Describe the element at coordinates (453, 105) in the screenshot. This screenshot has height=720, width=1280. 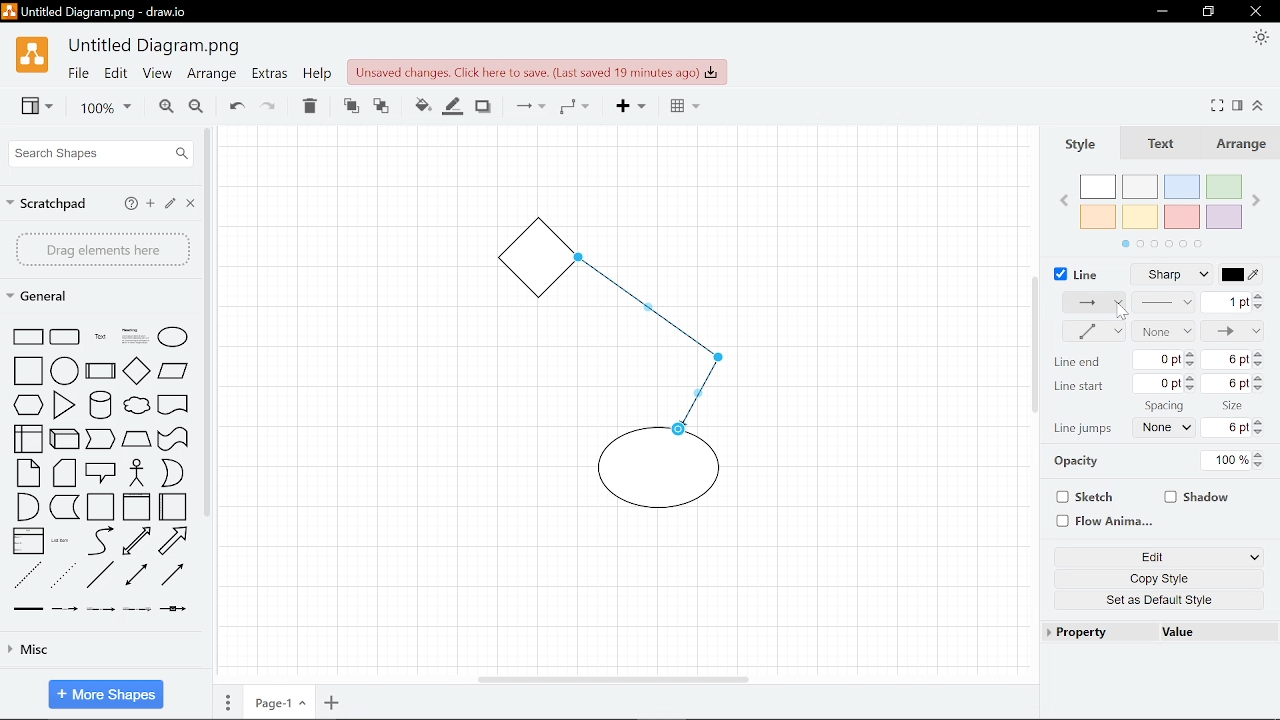
I see `Fill color` at that location.